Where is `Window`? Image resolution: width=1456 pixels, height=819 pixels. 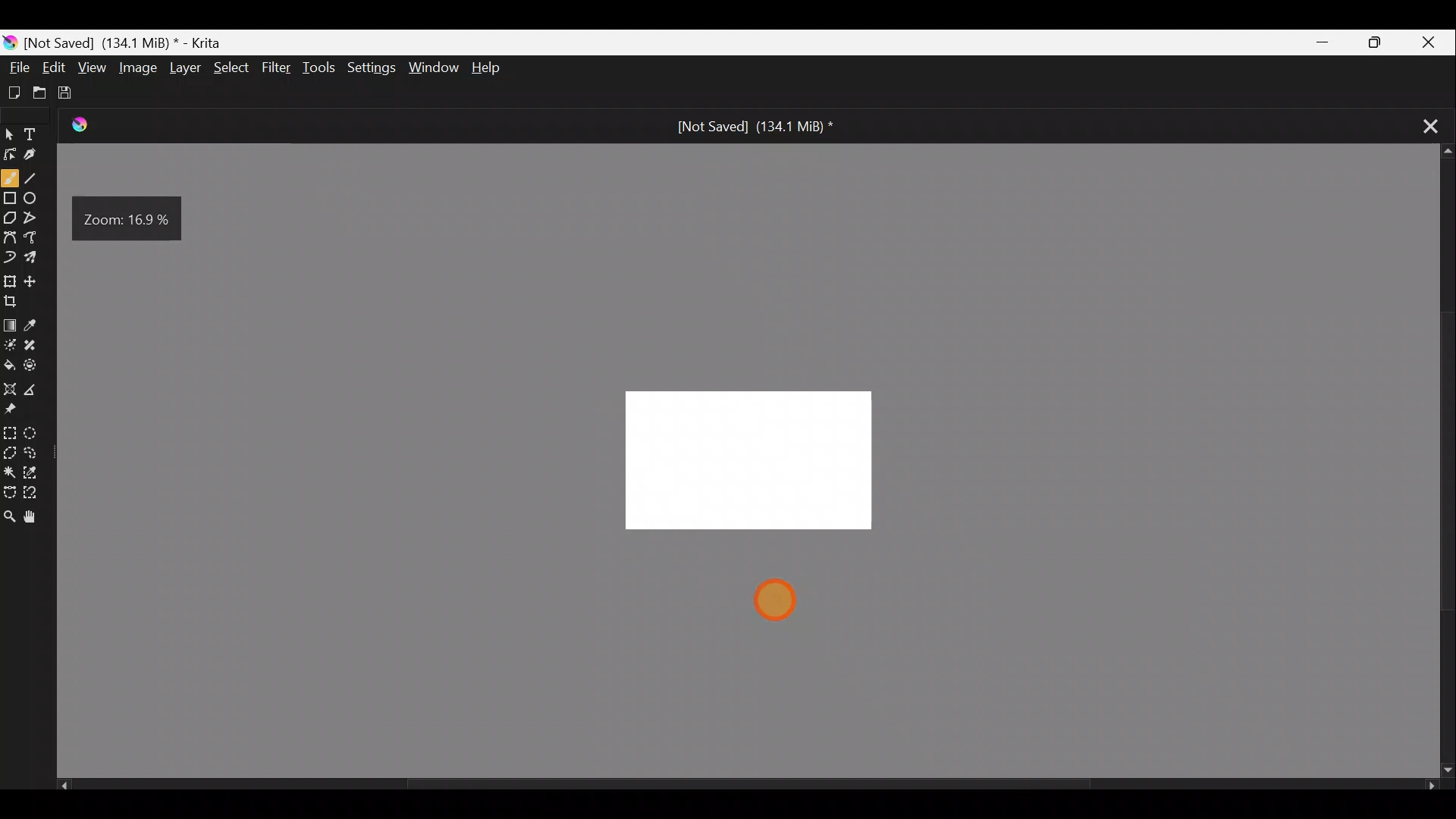
Window is located at coordinates (433, 65).